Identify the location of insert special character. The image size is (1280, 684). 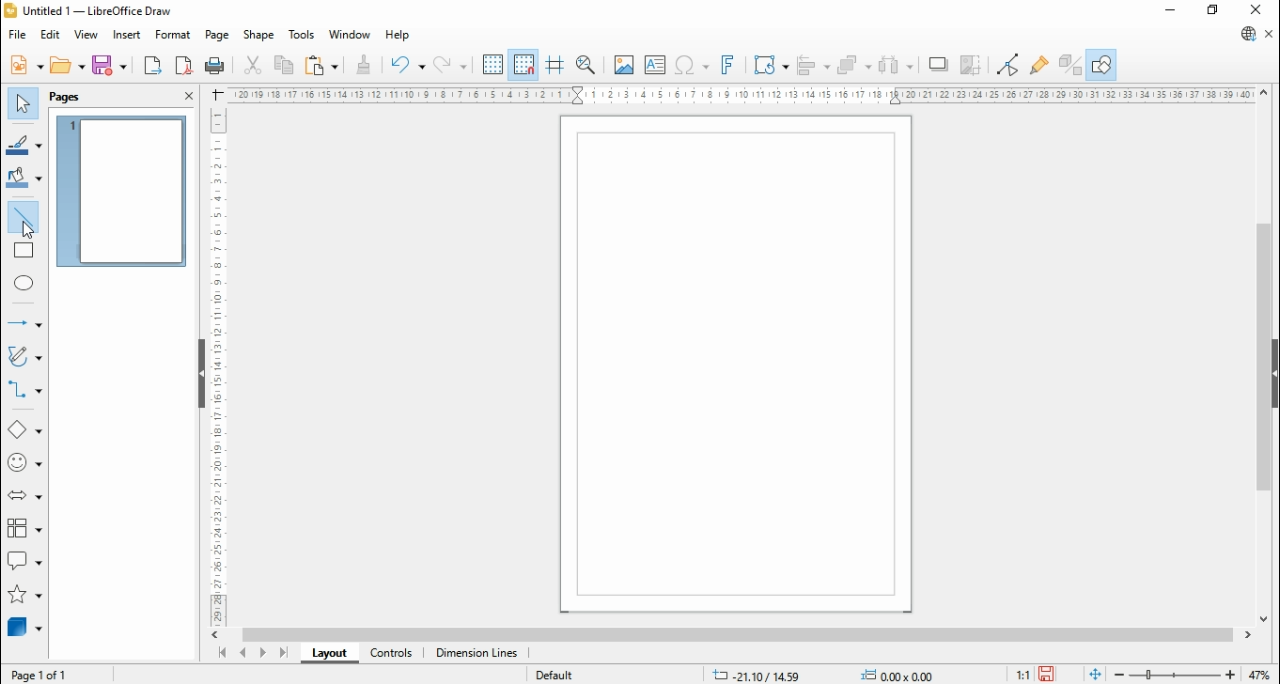
(690, 65).